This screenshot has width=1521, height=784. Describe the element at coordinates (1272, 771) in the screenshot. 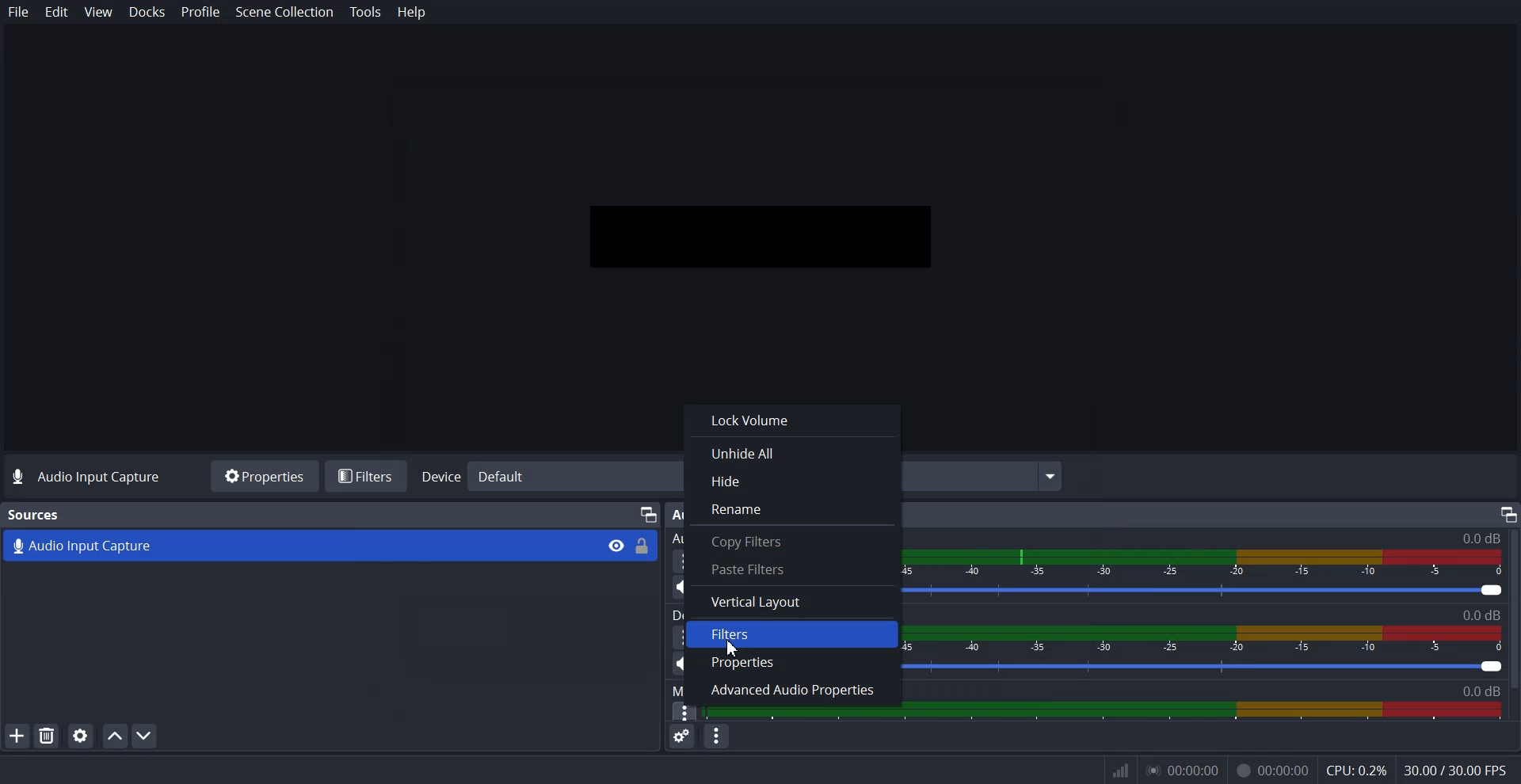

I see `Recording` at that location.